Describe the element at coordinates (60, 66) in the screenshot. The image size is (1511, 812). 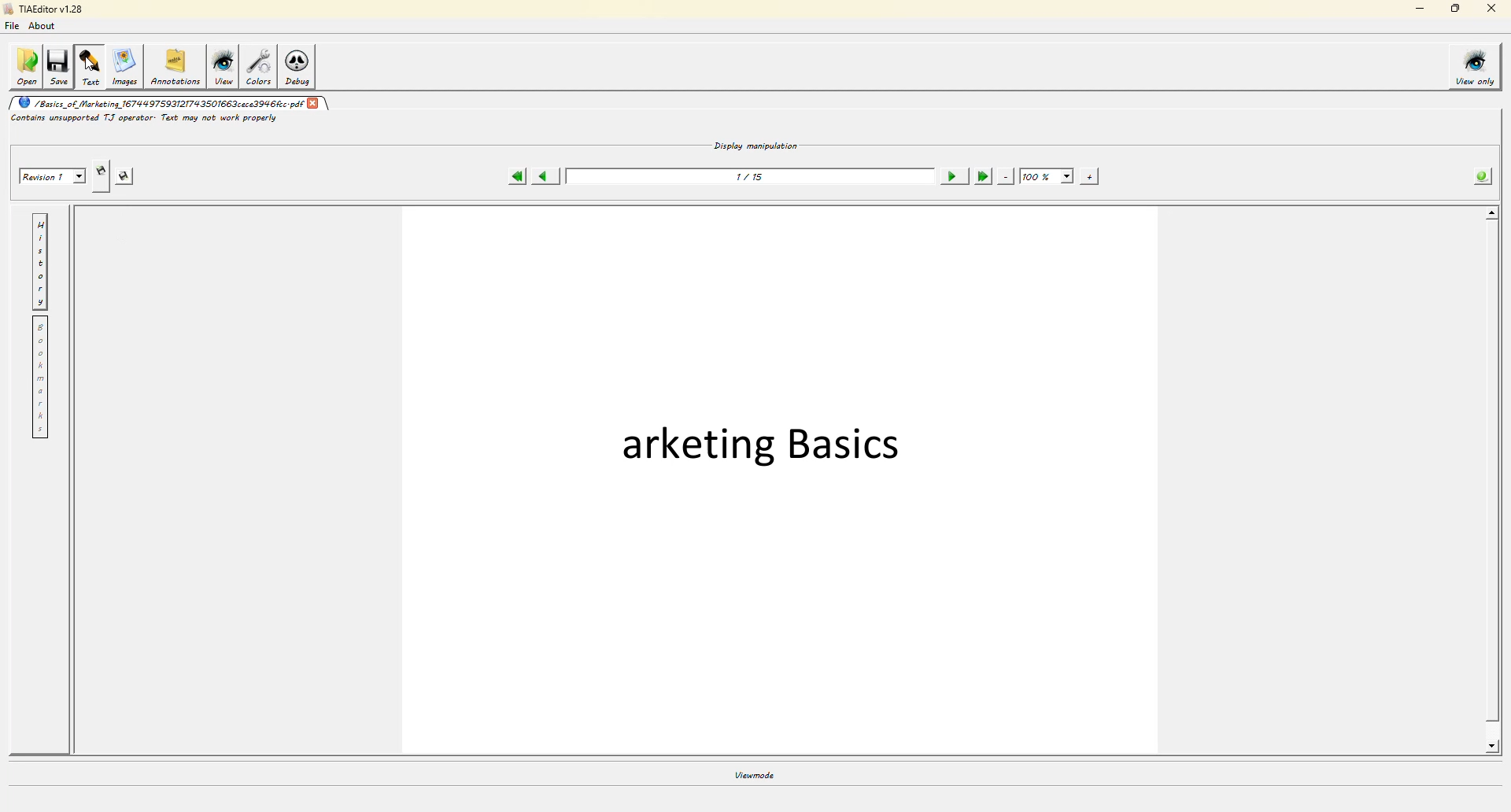
I see `save` at that location.